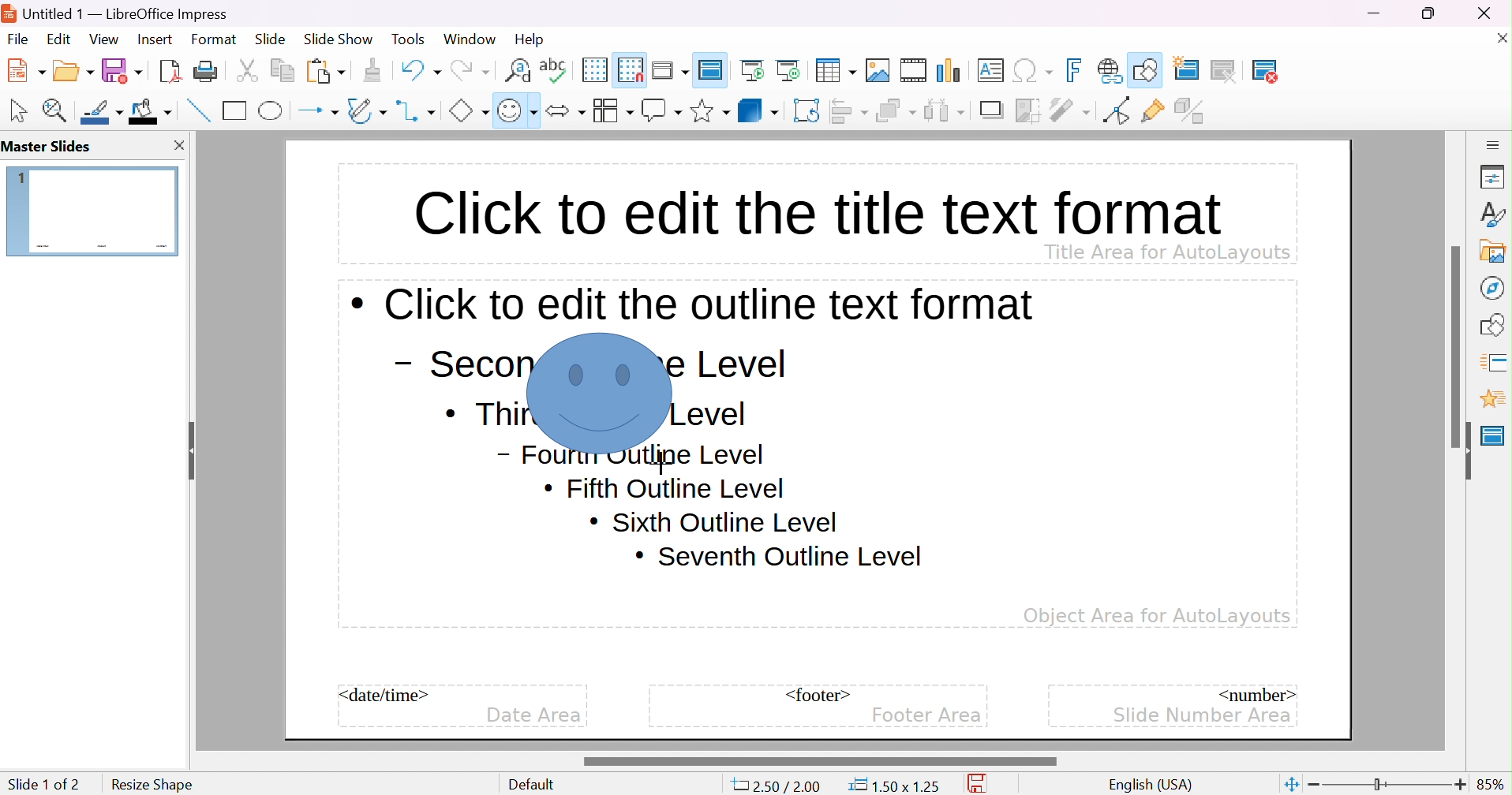 This screenshot has height=795, width=1512. Describe the element at coordinates (553, 66) in the screenshot. I see `spelling` at that location.